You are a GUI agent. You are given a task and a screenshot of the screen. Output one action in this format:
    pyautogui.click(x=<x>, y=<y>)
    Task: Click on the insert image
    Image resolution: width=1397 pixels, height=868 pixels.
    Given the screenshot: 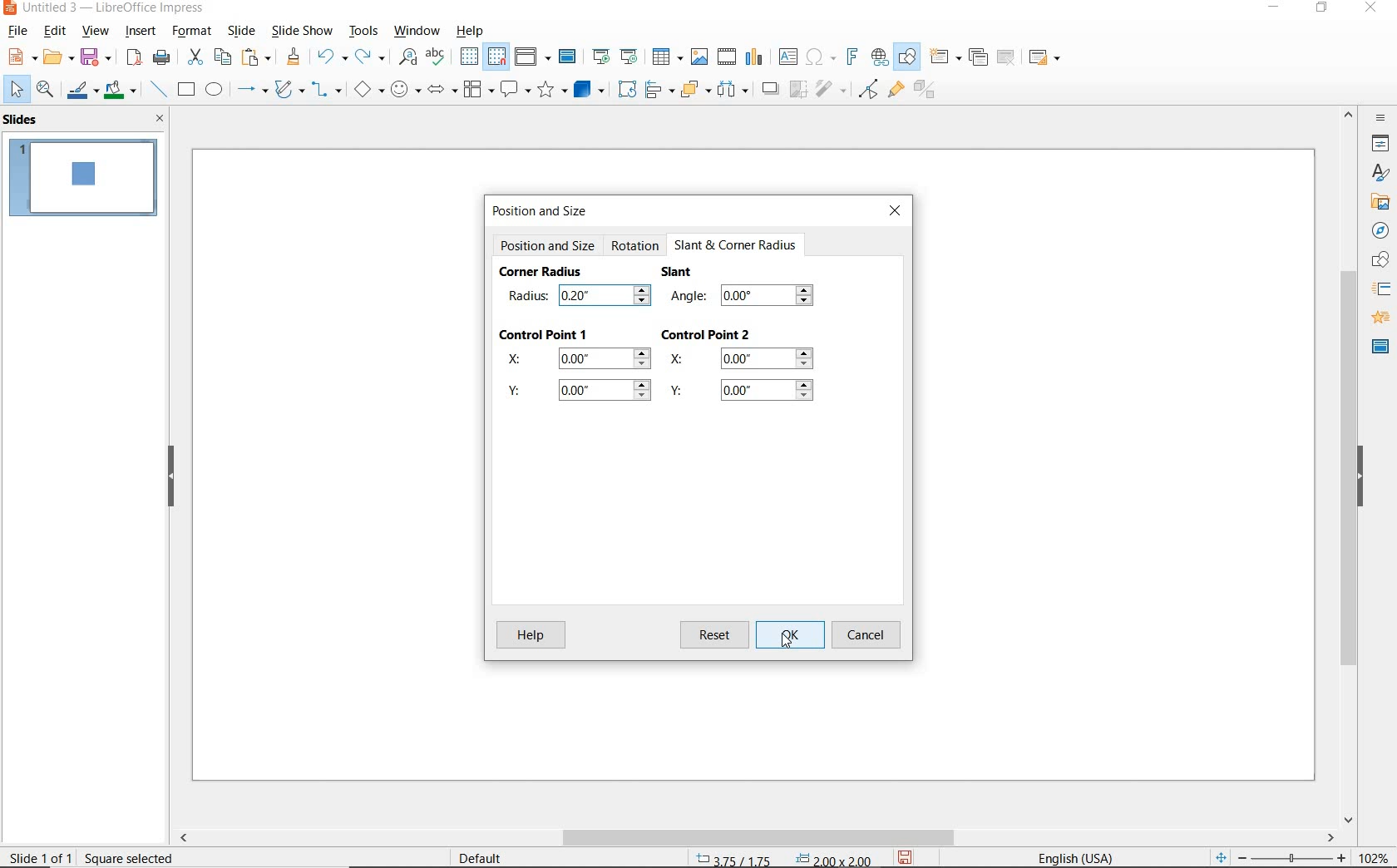 What is the action you would take?
    pyautogui.click(x=700, y=57)
    